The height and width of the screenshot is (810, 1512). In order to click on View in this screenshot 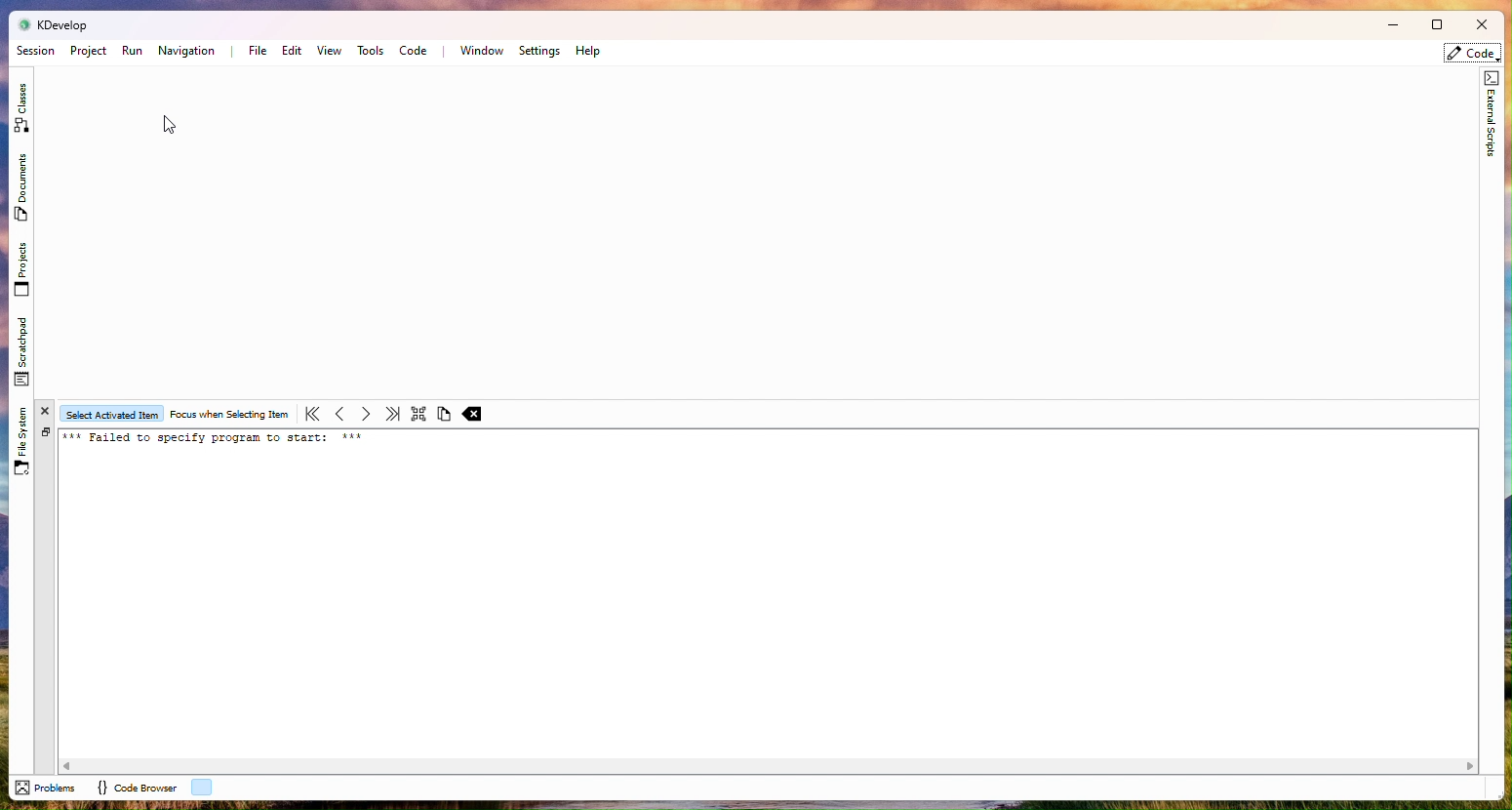, I will do `click(330, 52)`.